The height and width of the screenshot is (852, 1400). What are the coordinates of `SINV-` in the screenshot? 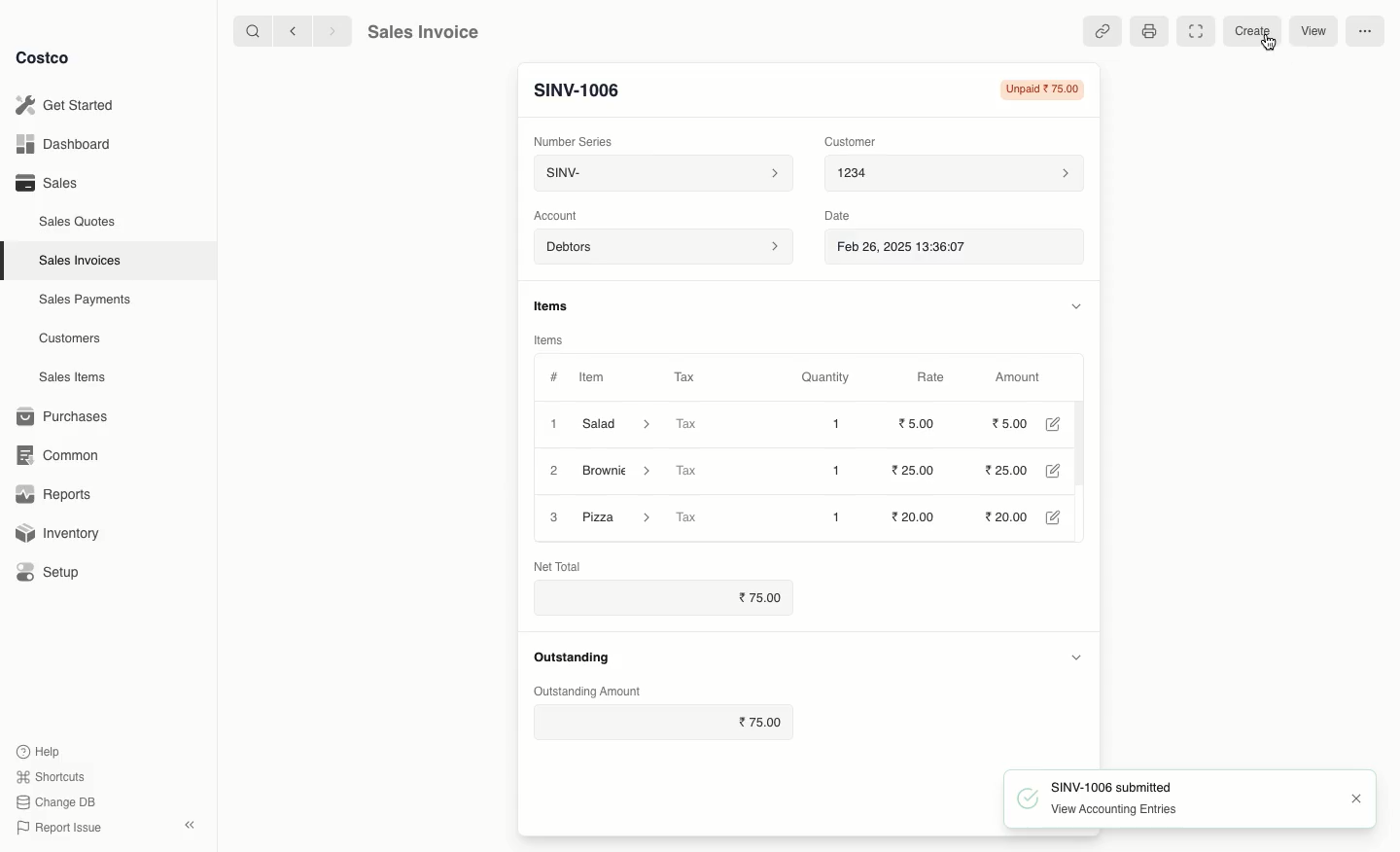 It's located at (660, 175).